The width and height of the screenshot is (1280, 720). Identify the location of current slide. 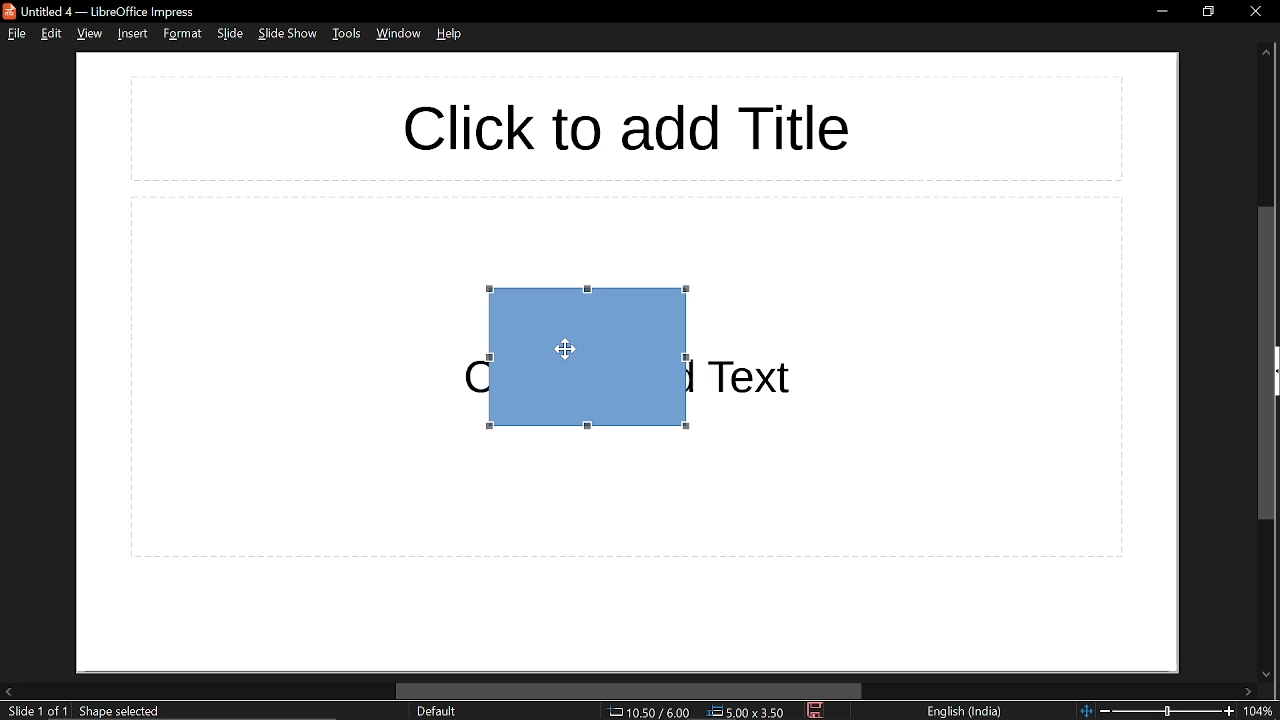
(36, 711).